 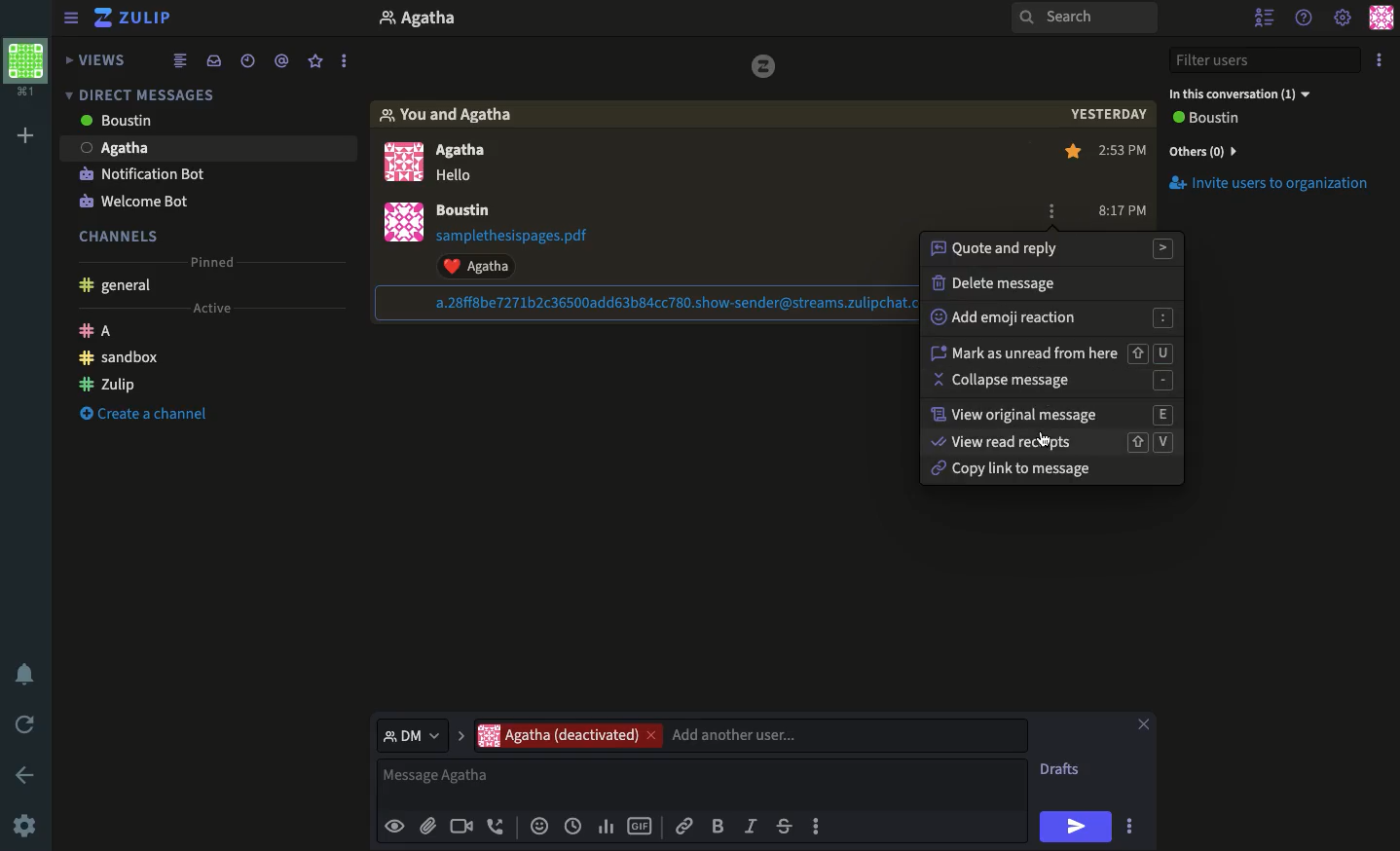 What do you see at coordinates (209, 309) in the screenshot?
I see `Active` at bounding box center [209, 309].